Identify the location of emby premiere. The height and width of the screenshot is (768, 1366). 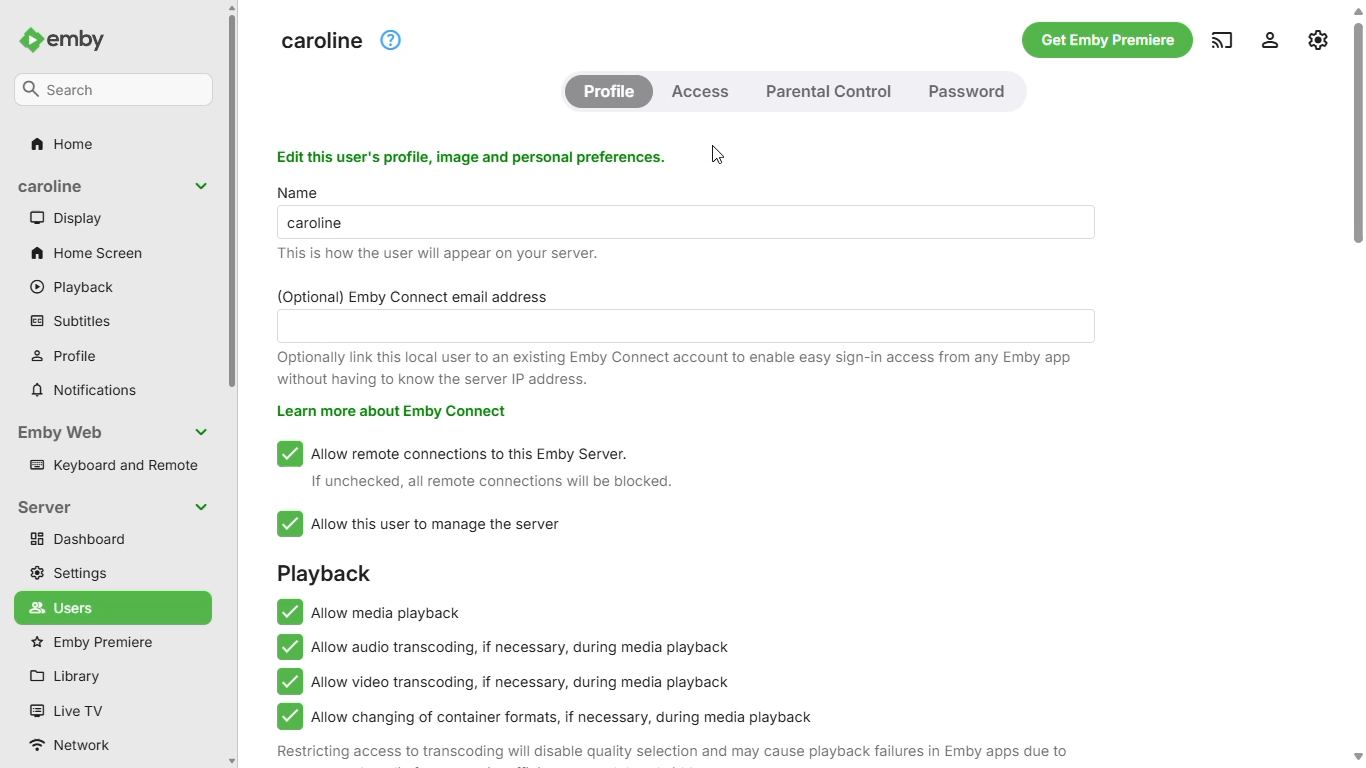
(91, 643).